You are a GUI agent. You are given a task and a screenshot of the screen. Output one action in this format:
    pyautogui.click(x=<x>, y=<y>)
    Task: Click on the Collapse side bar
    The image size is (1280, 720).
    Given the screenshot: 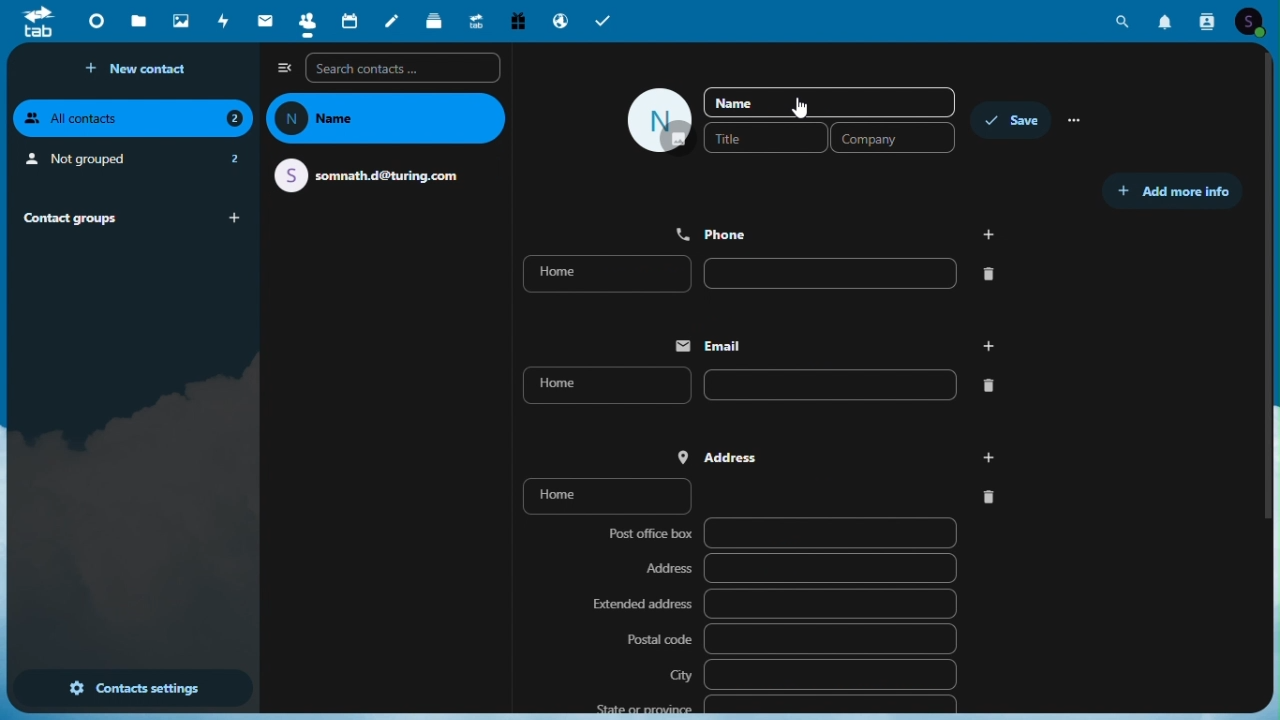 What is the action you would take?
    pyautogui.click(x=283, y=67)
    